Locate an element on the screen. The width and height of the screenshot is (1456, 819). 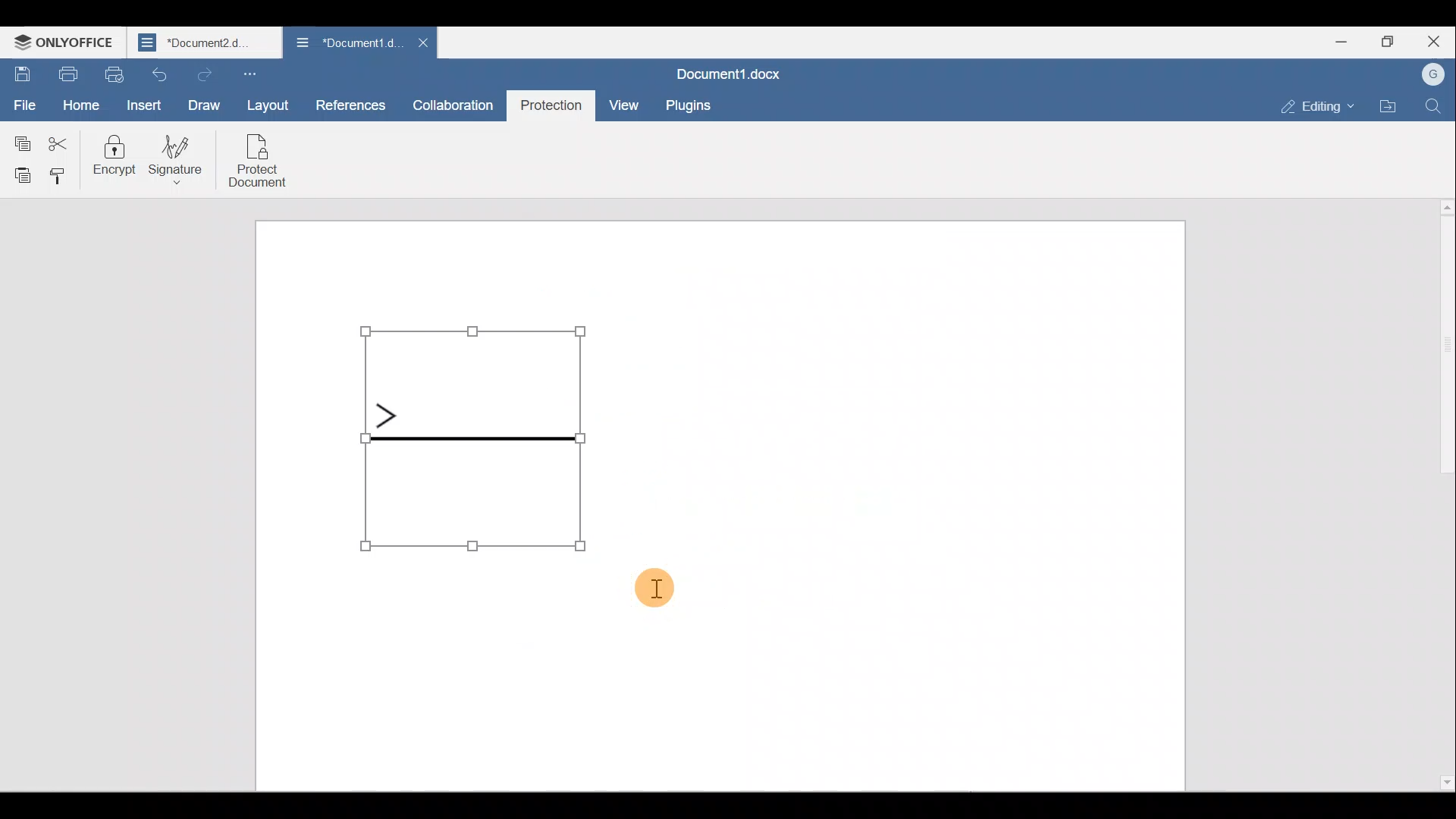
Document name is located at coordinates (206, 43).